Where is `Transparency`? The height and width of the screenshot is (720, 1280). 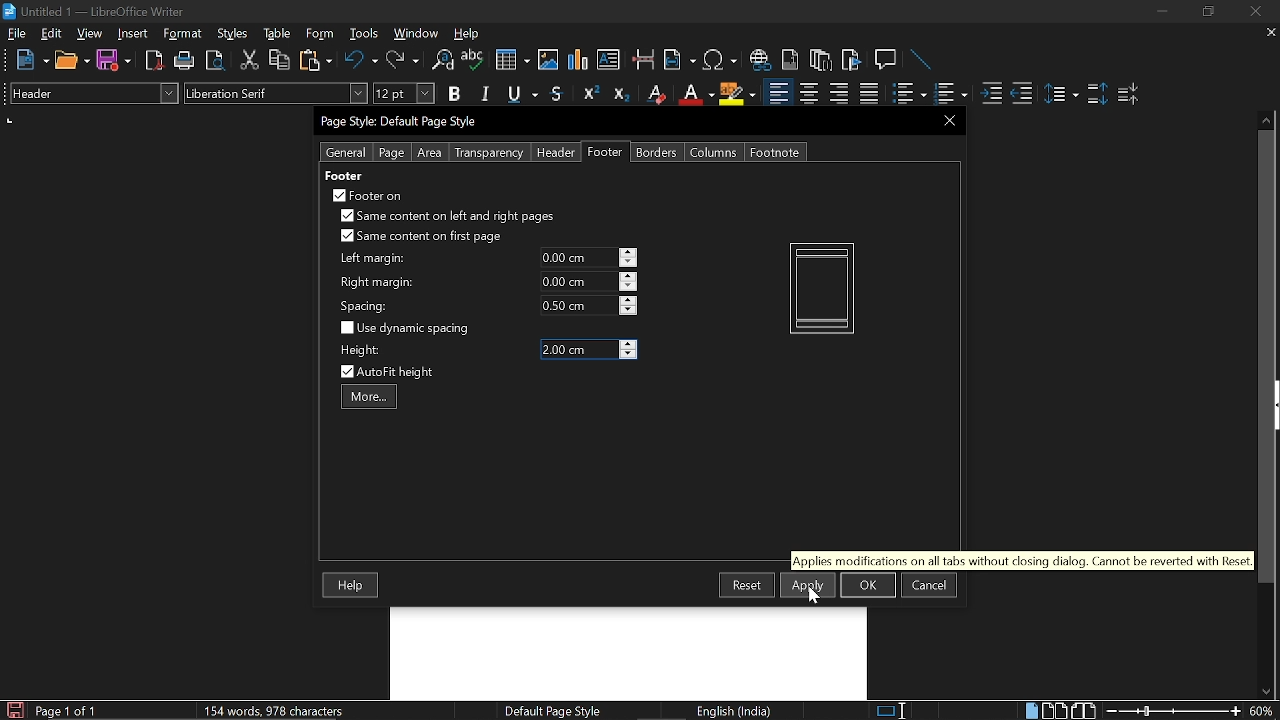
Transparency is located at coordinates (487, 153).